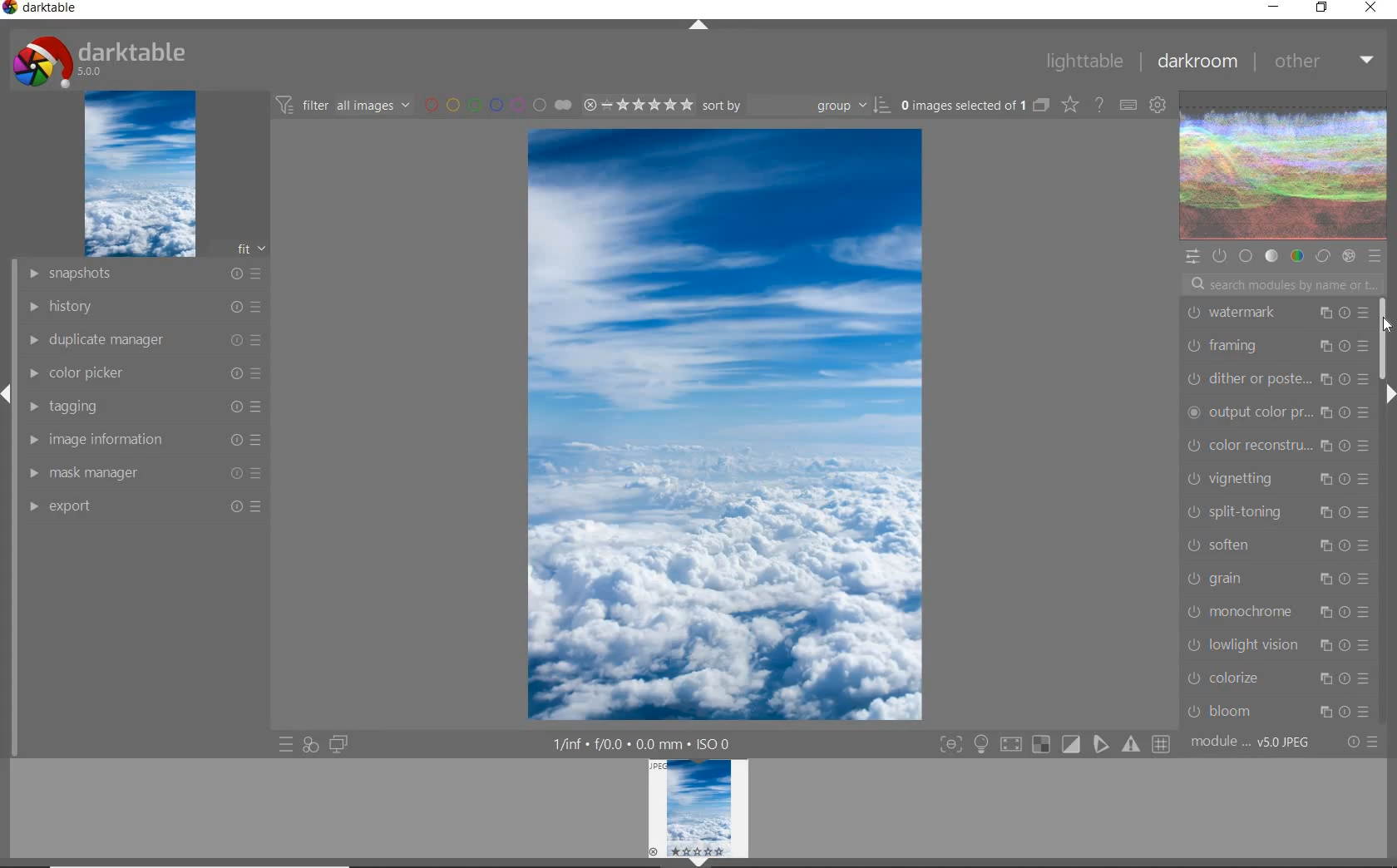 The width and height of the screenshot is (1397, 868). Describe the element at coordinates (699, 862) in the screenshot. I see `Down` at that location.